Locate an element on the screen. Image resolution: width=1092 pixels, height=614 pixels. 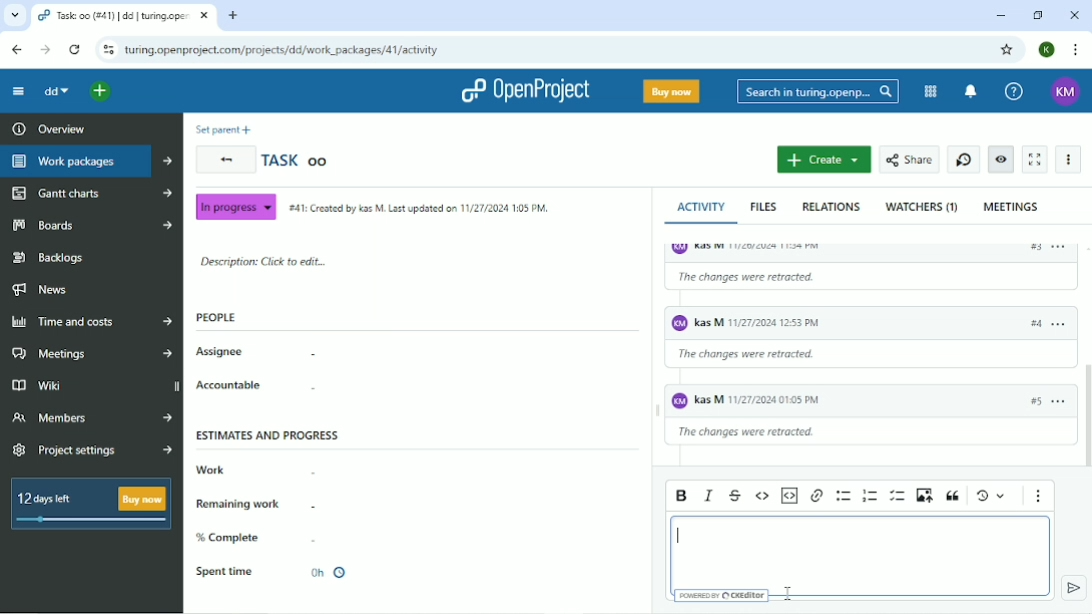
Powered by CKEditor is located at coordinates (723, 596).